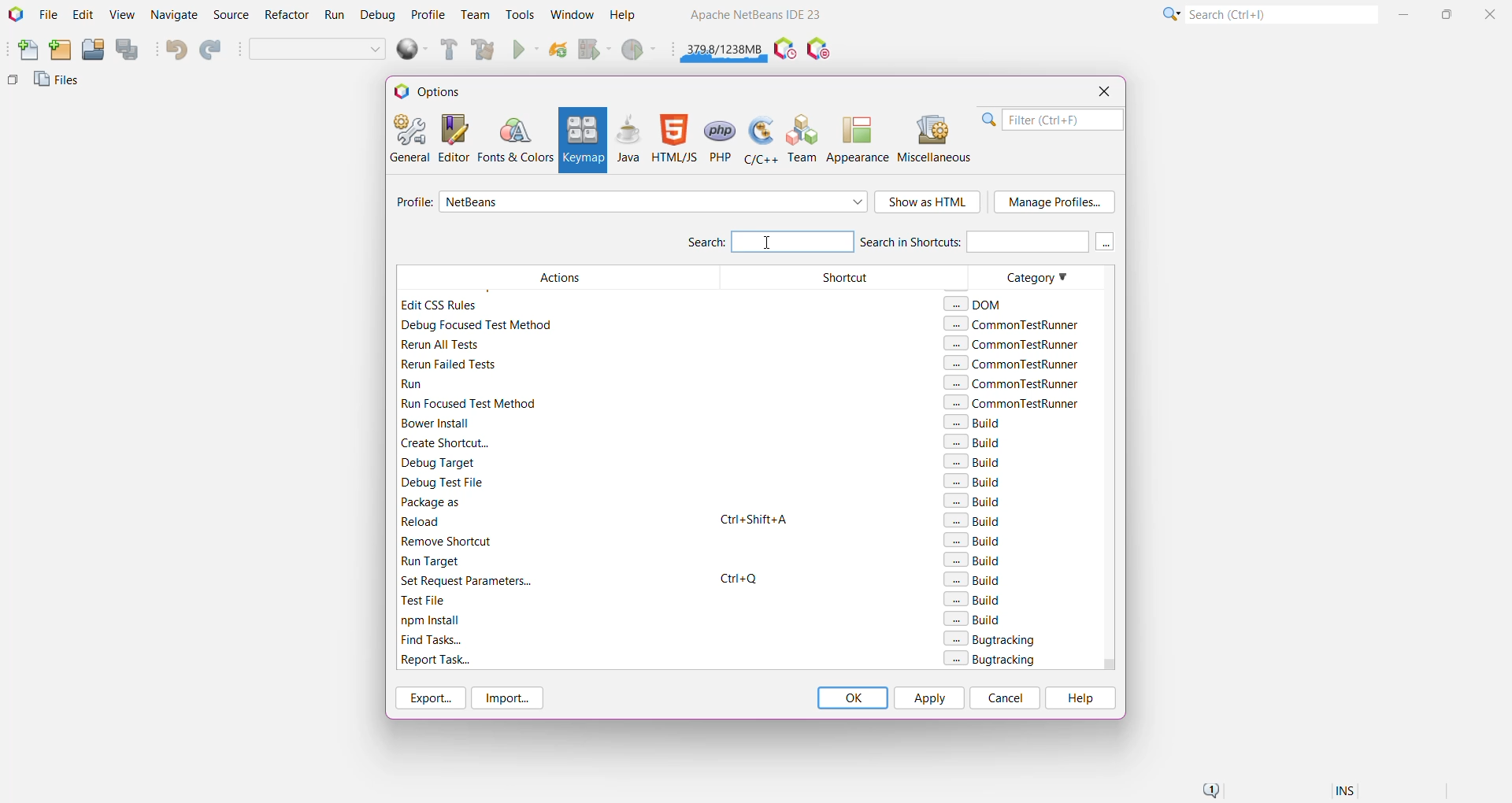 The width and height of the screenshot is (1512, 803). Describe the element at coordinates (14, 15) in the screenshot. I see `Application Logo` at that location.